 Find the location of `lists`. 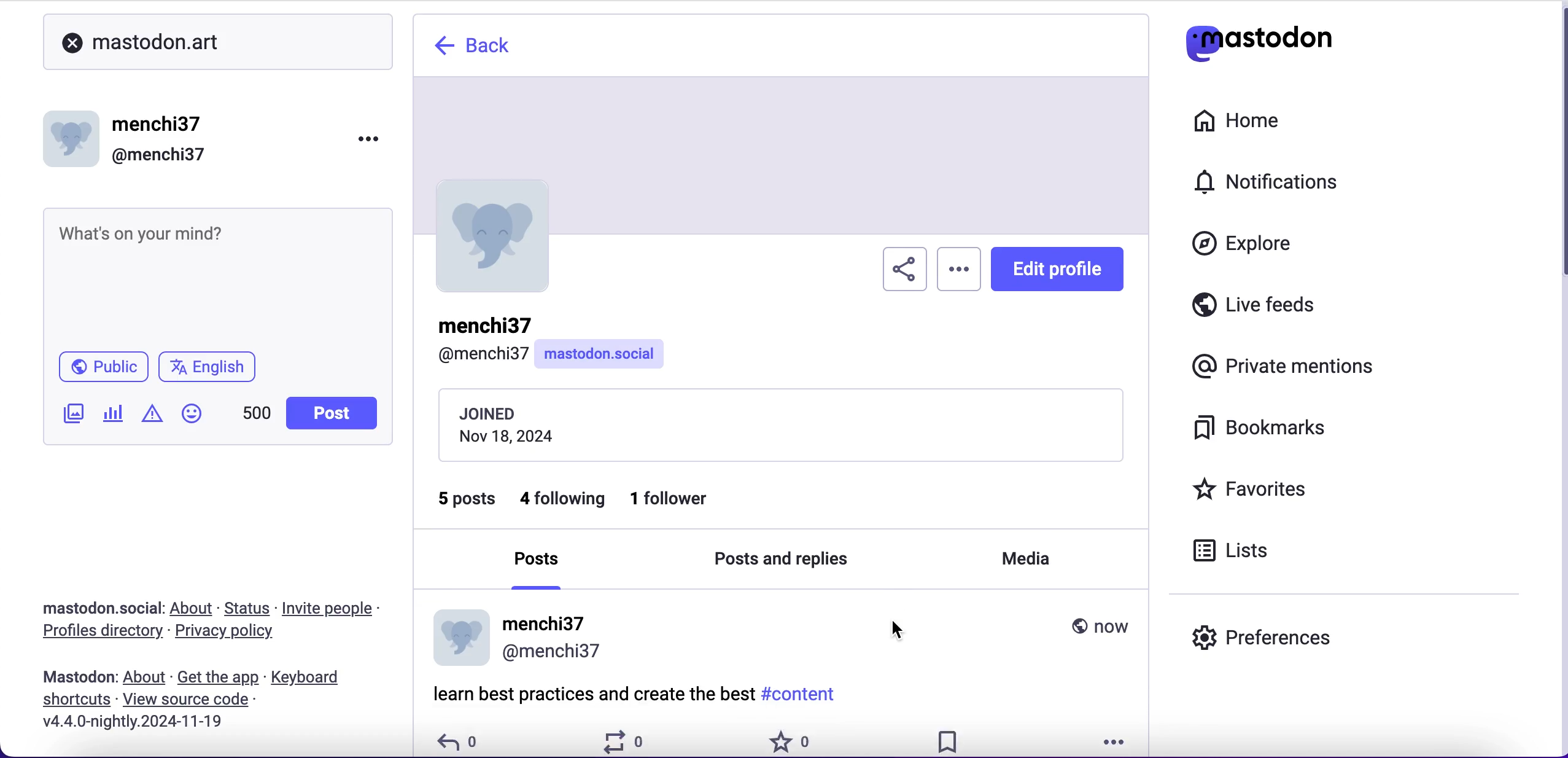

lists is located at coordinates (1241, 554).